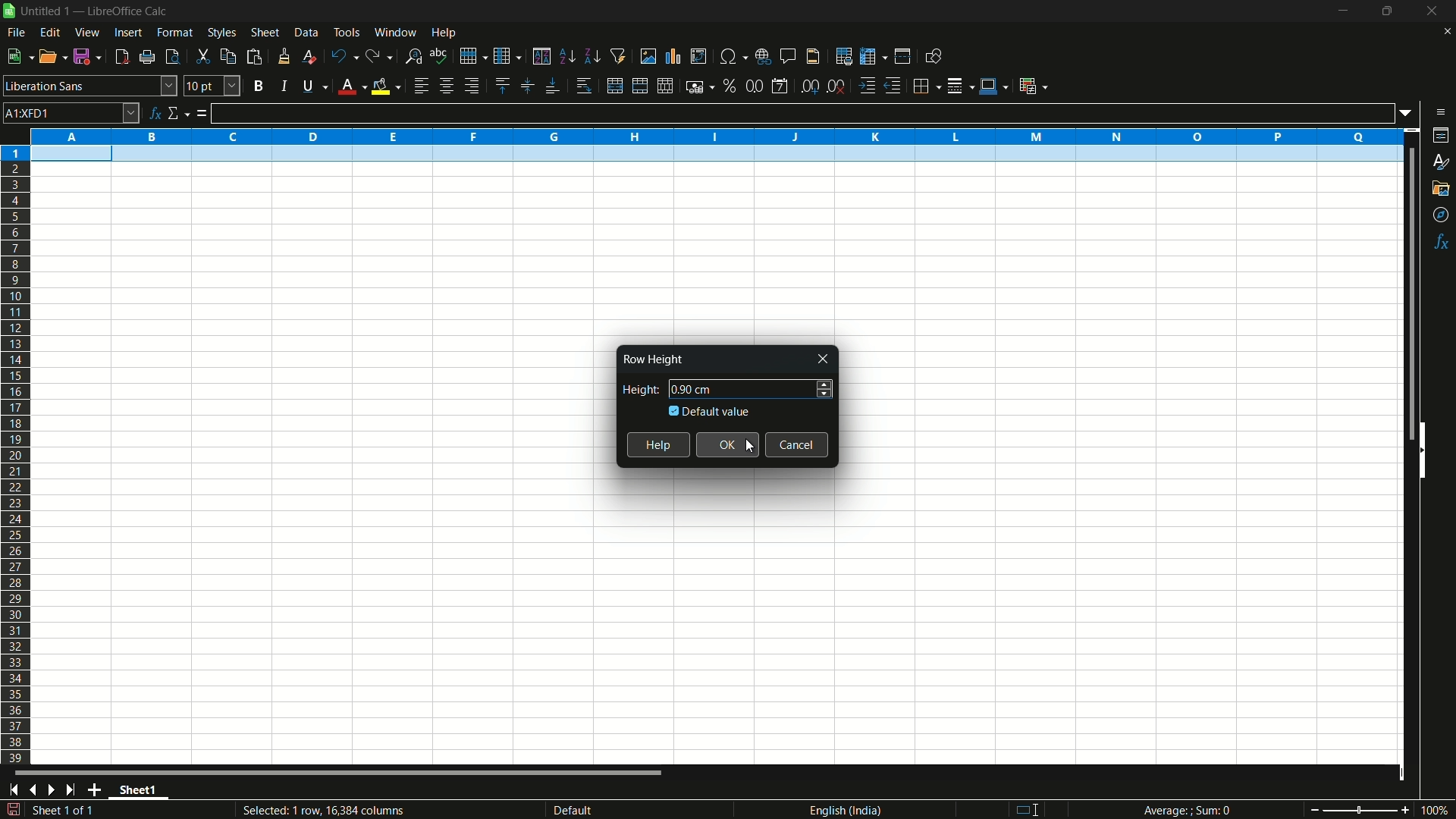 This screenshot has height=819, width=1456. I want to click on font name, so click(90, 86).